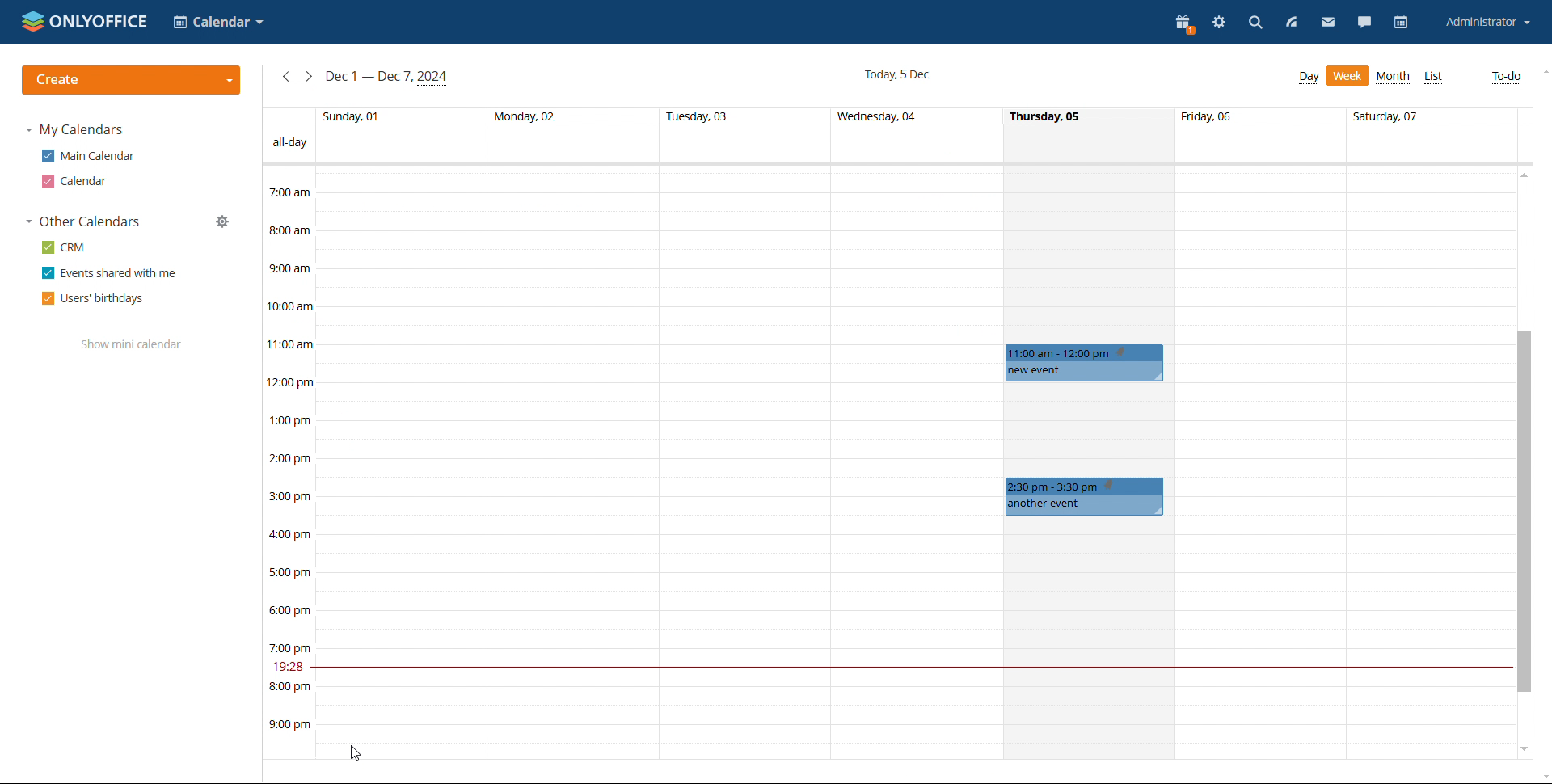 The width and height of the screenshot is (1552, 784). I want to click on my calendars, so click(74, 130).